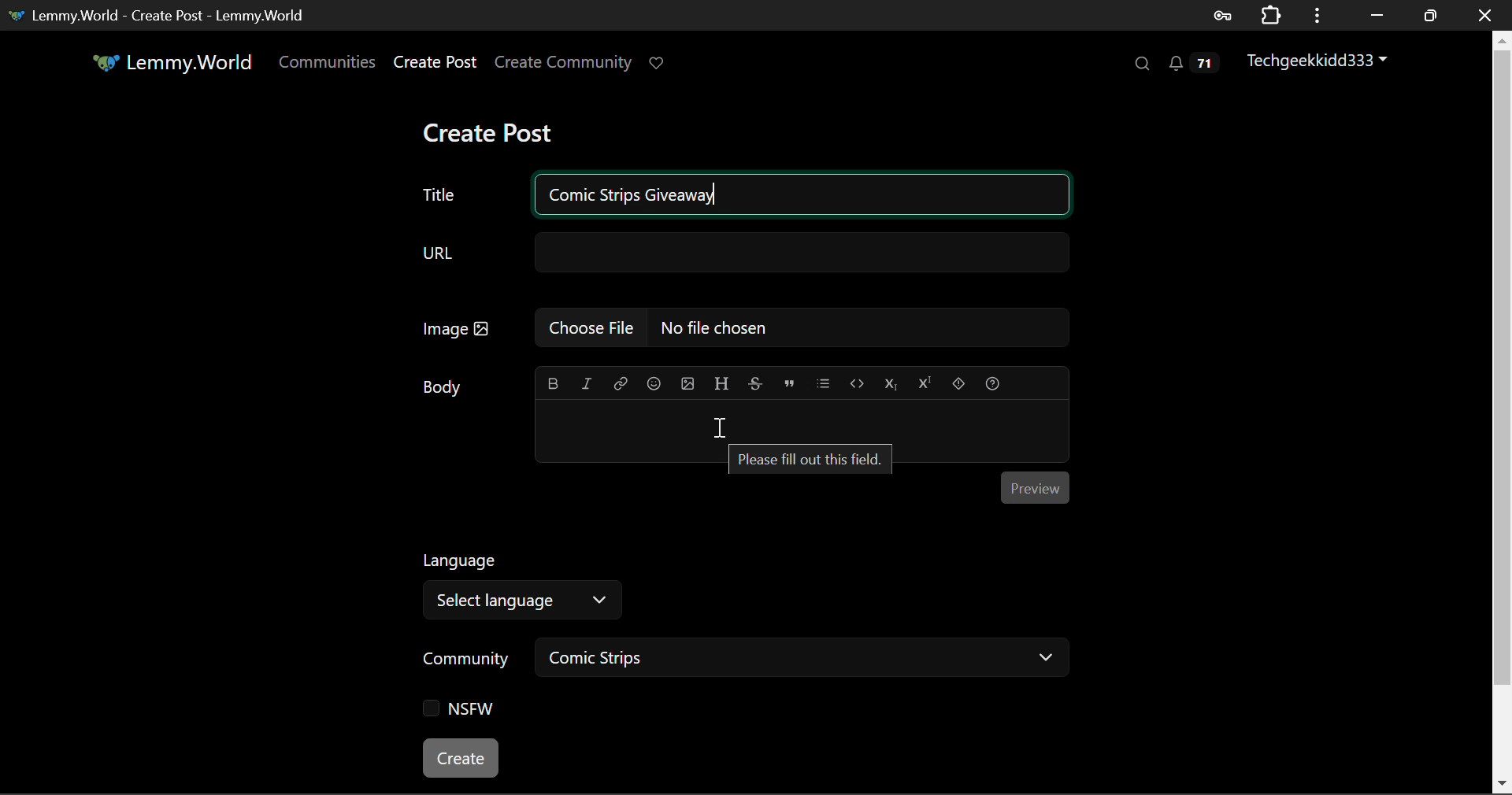  I want to click on Title: Comic Strips Giveaway, so click(742, 197).